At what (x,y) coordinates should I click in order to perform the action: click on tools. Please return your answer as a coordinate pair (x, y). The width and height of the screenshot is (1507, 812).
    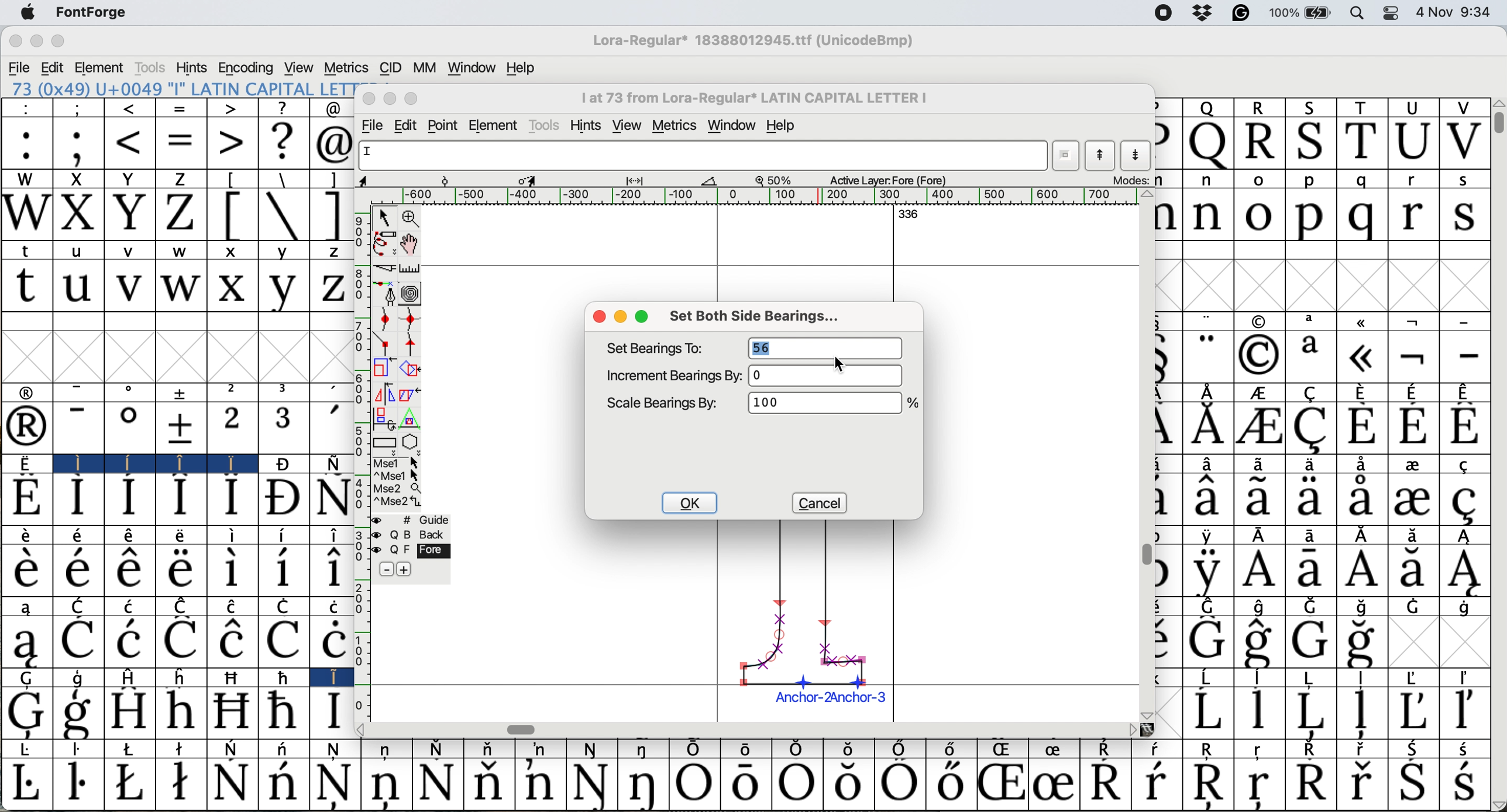
    Looking at the image, I should click on (149, 68).